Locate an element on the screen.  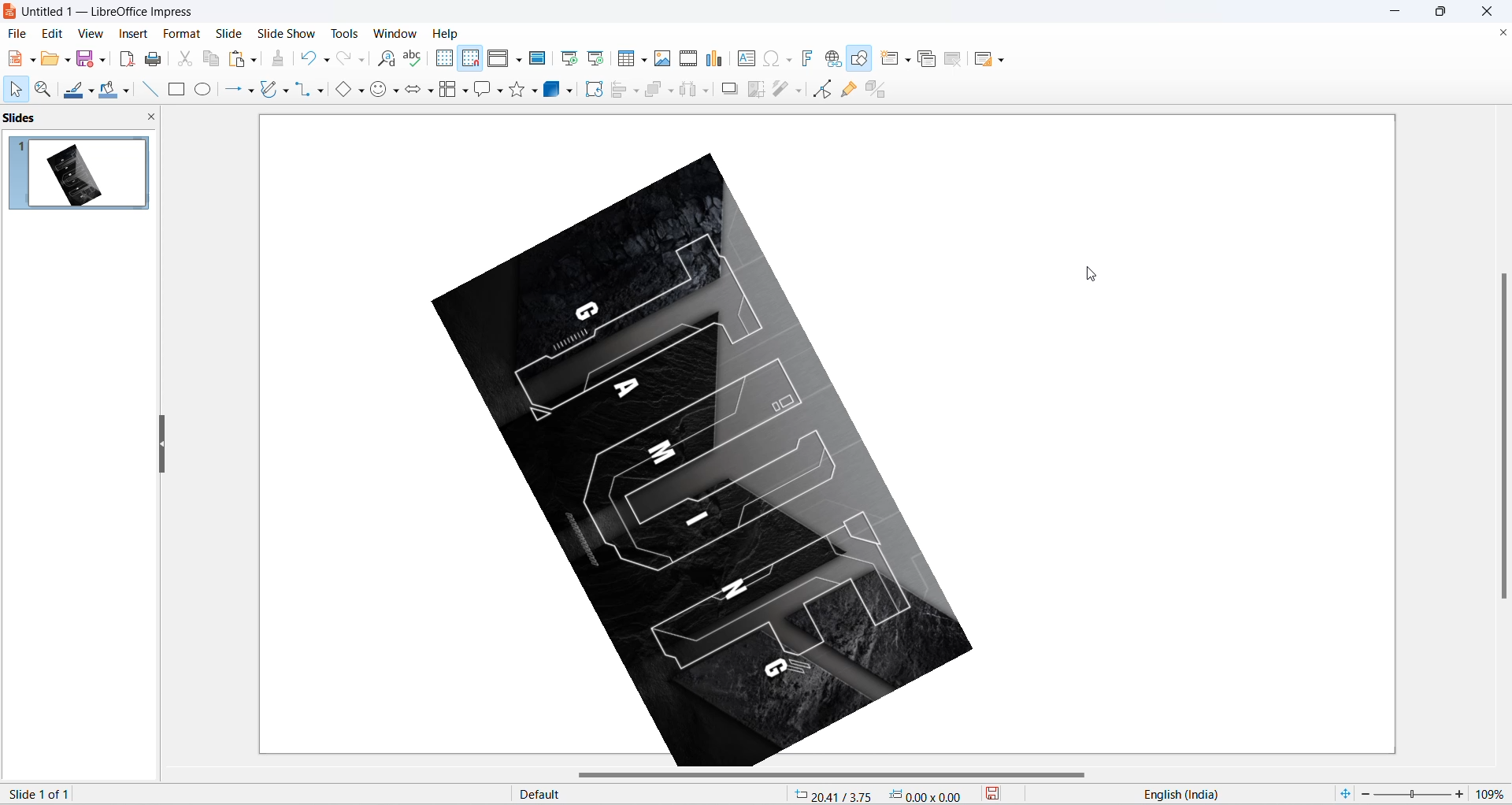
insert images is located at coordinates (663, 58).